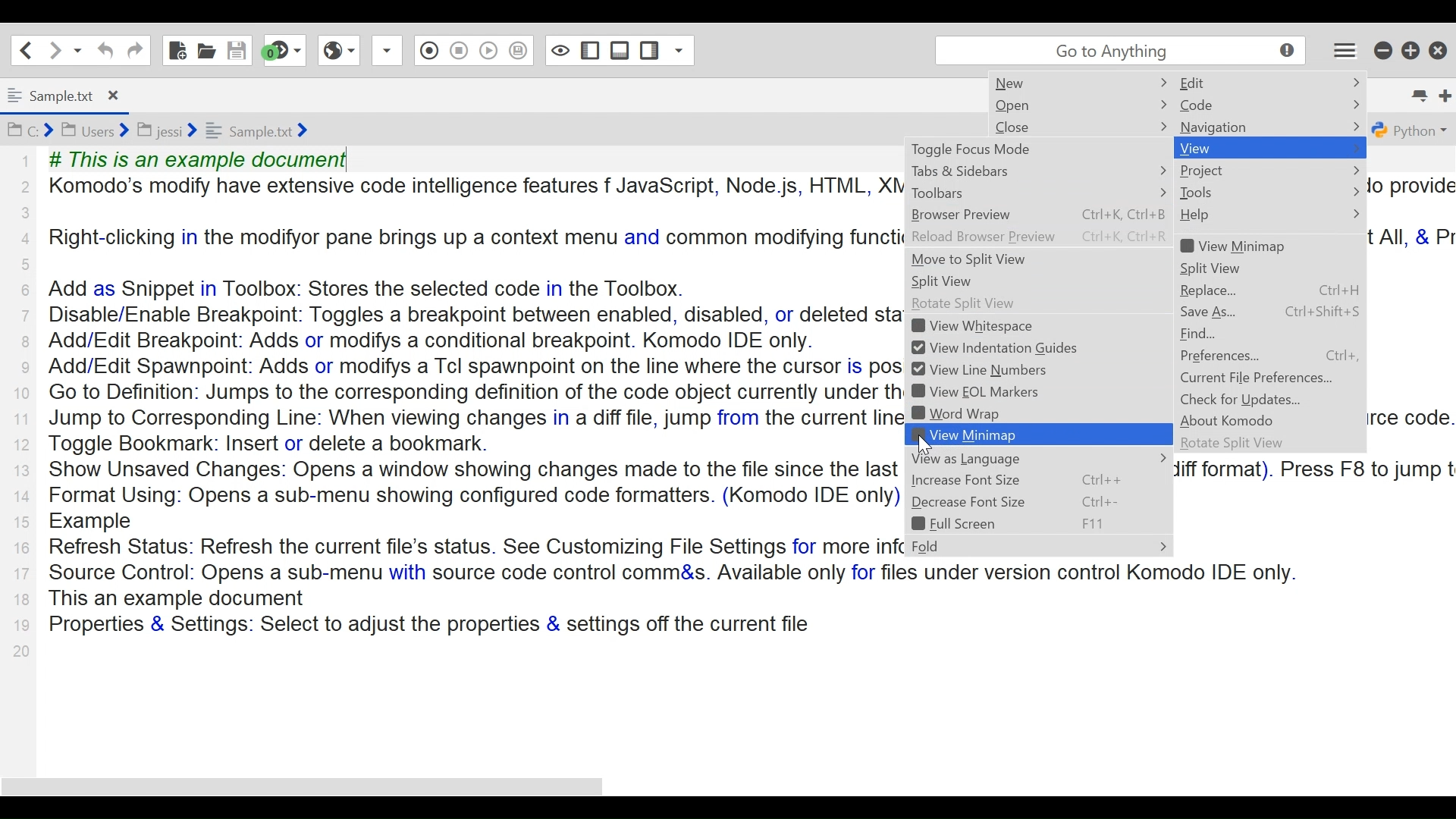  I want to click on View Line Numbers, so click(991, 369).